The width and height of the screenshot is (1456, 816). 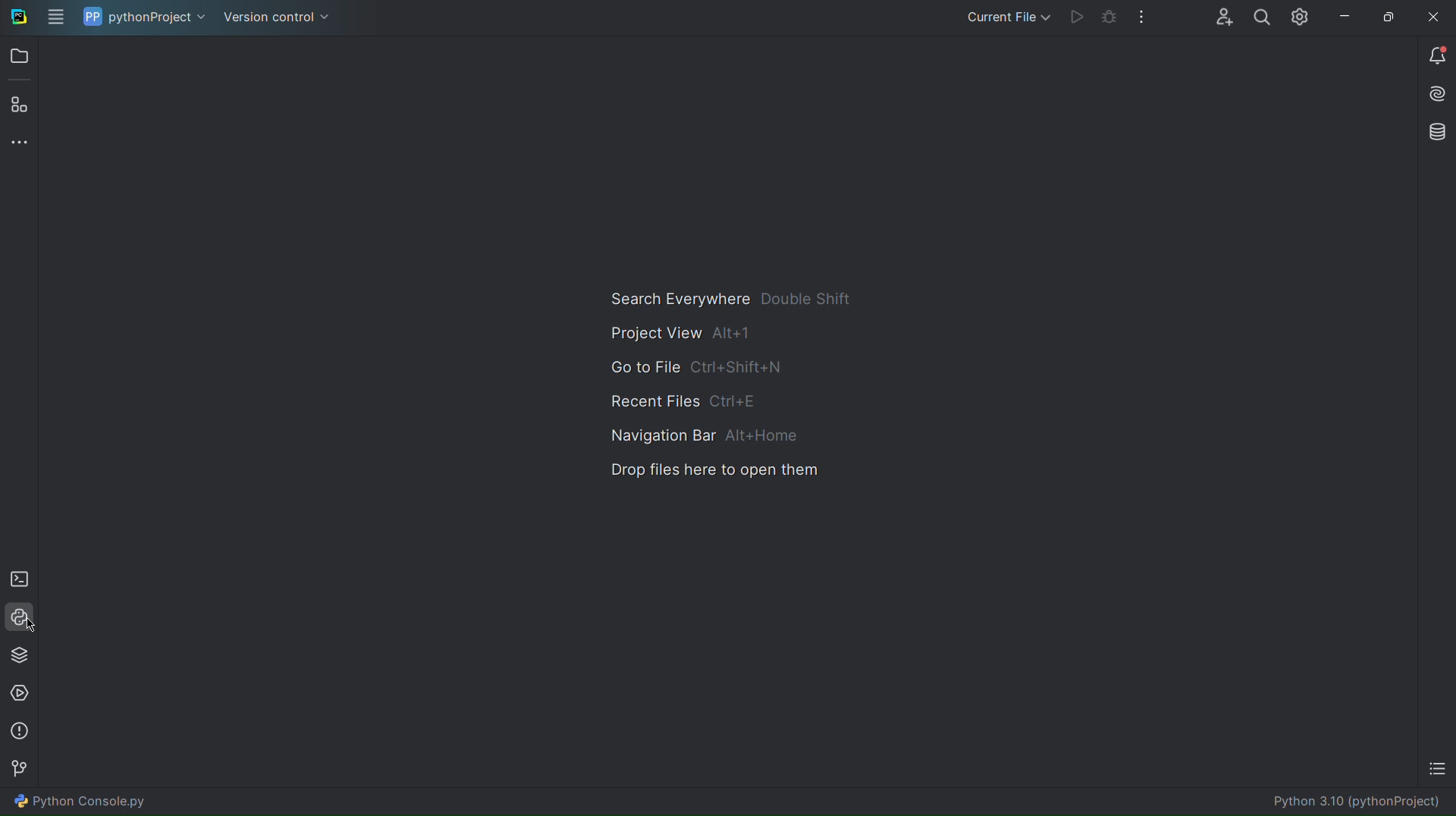 I want to click on Cursor on Python Consoles, so click(x=20, y=619).